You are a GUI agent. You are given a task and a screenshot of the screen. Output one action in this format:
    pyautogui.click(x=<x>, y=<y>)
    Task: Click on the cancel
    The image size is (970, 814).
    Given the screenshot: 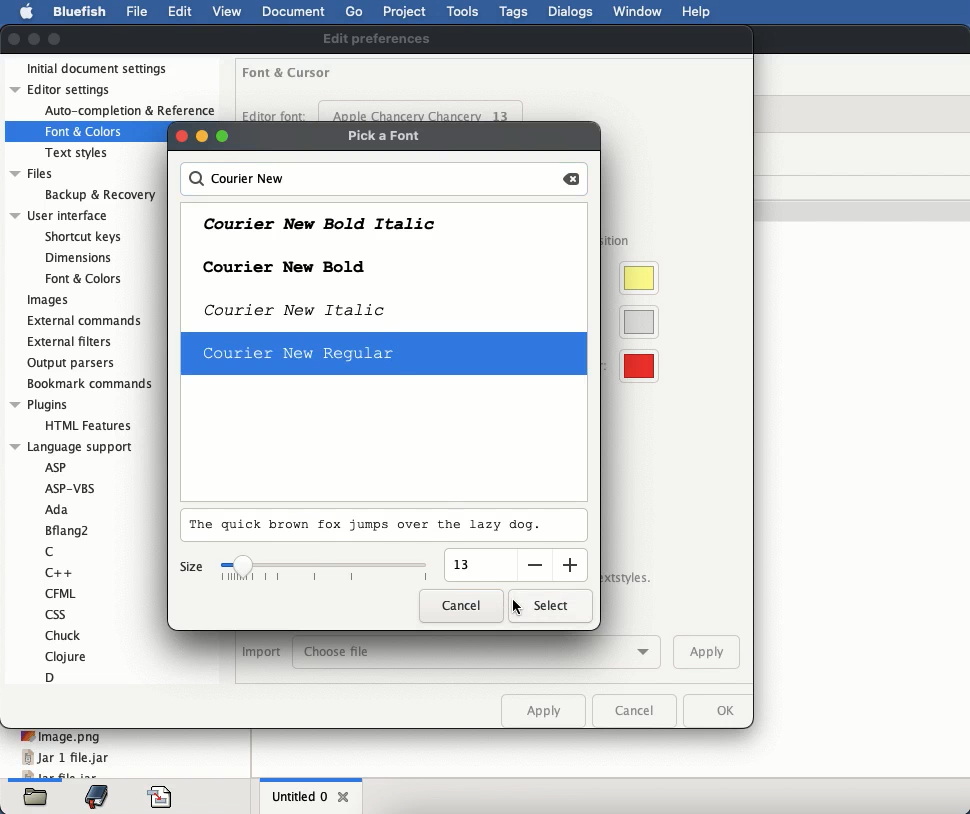 What is the action you would take?
    pyautogui.click(x=463, y=607)
    